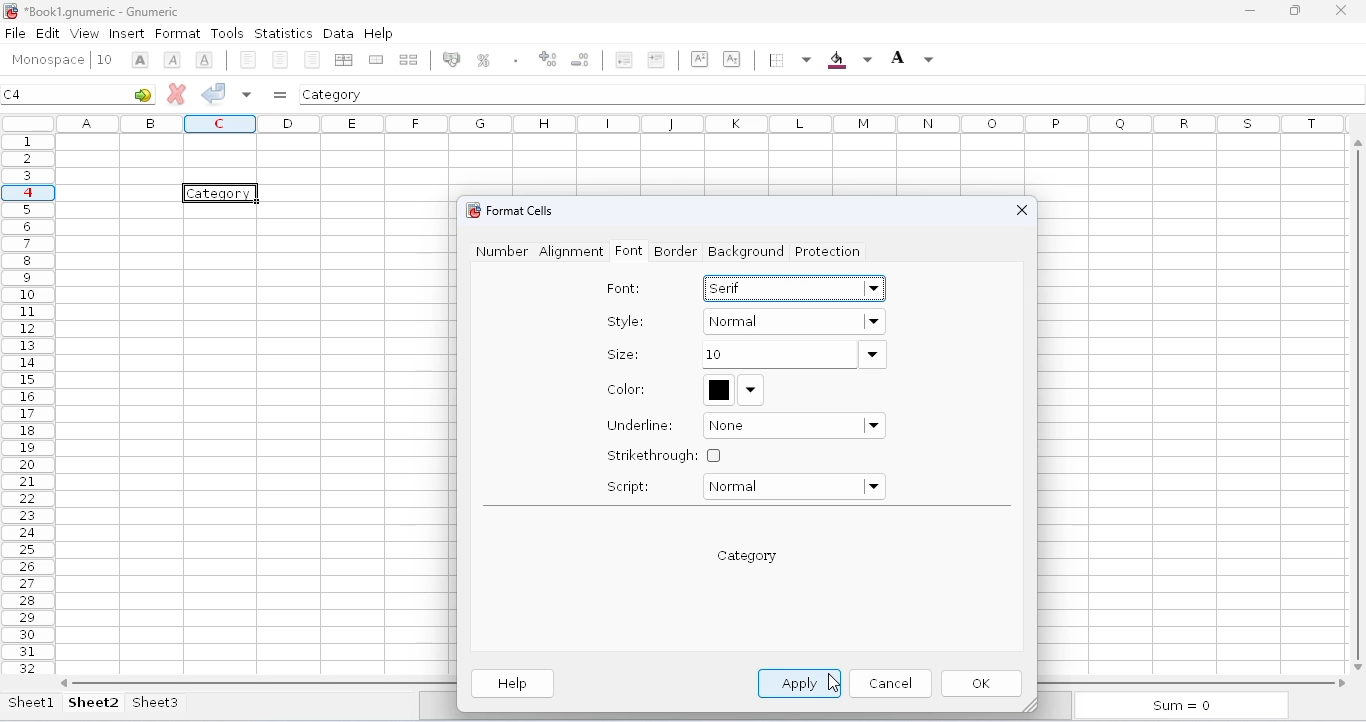 This screenshot has height=722, width=1366. I want to click on help, so click(378, 32).